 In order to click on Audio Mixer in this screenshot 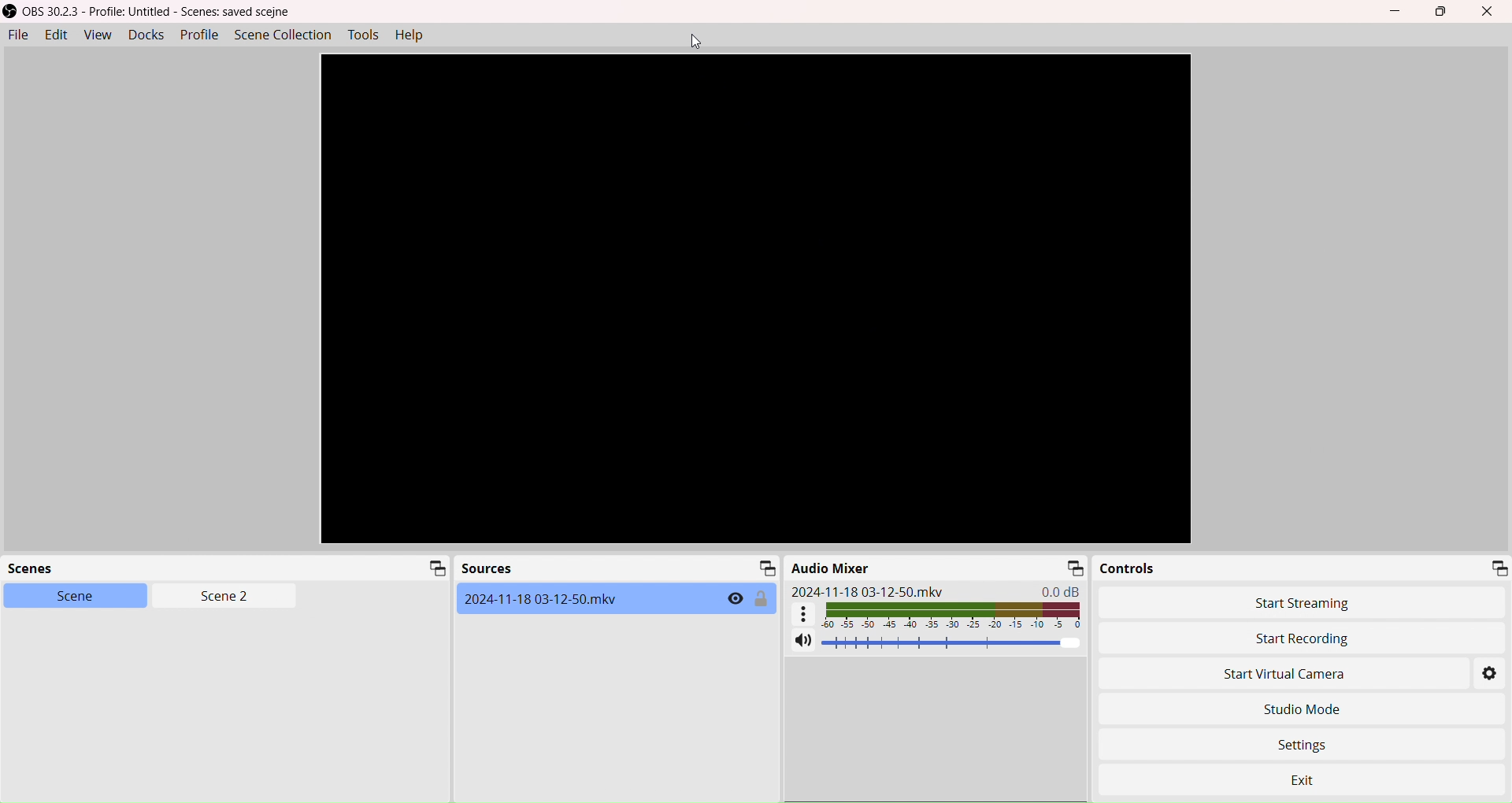, I will do `click(832, 568)`.